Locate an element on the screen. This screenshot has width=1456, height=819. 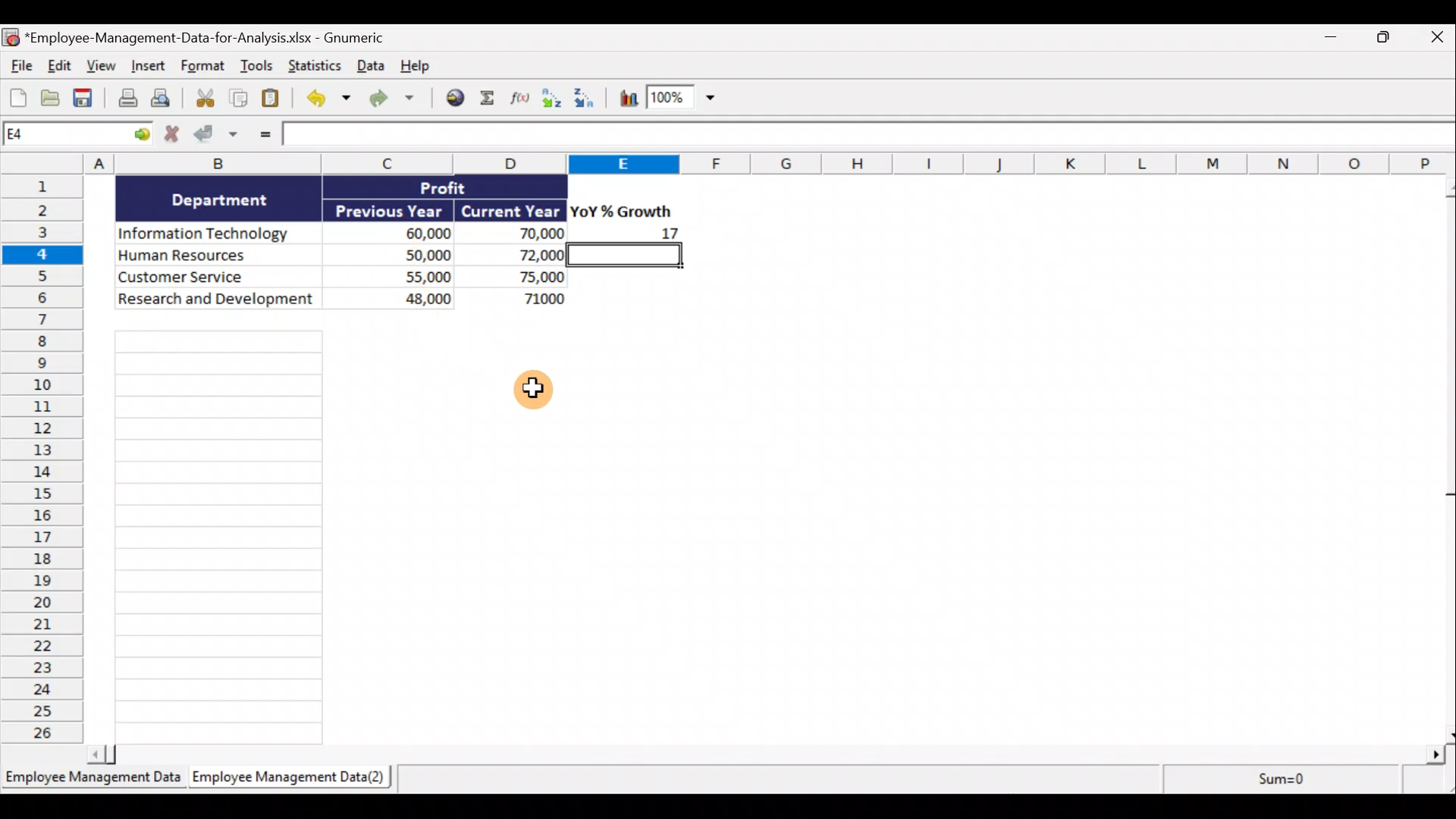
Sum into the current cell is located at coordinates (491, 99).